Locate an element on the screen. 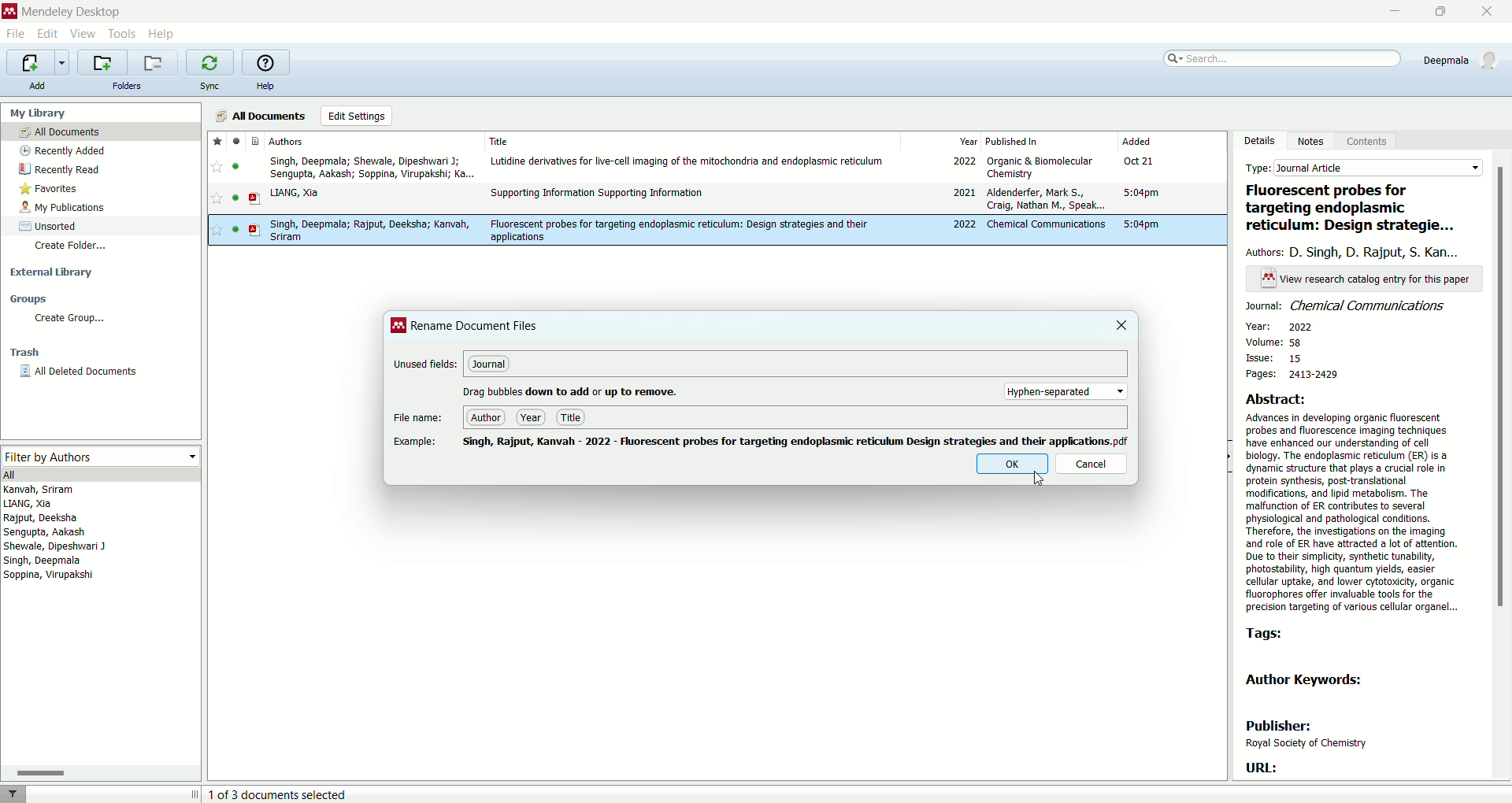 This screenshot has width=1512, height=803. Chemical communications is located at coordinates (1044, 224).